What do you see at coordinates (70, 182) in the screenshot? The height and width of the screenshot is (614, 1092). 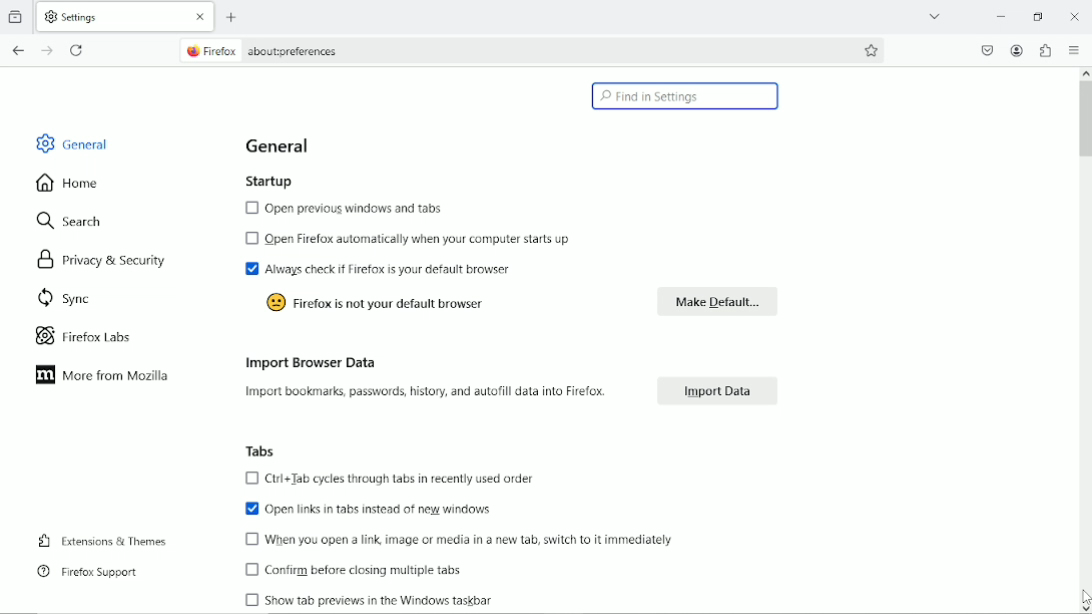 I see `Home` at bounding box center [70, 182].